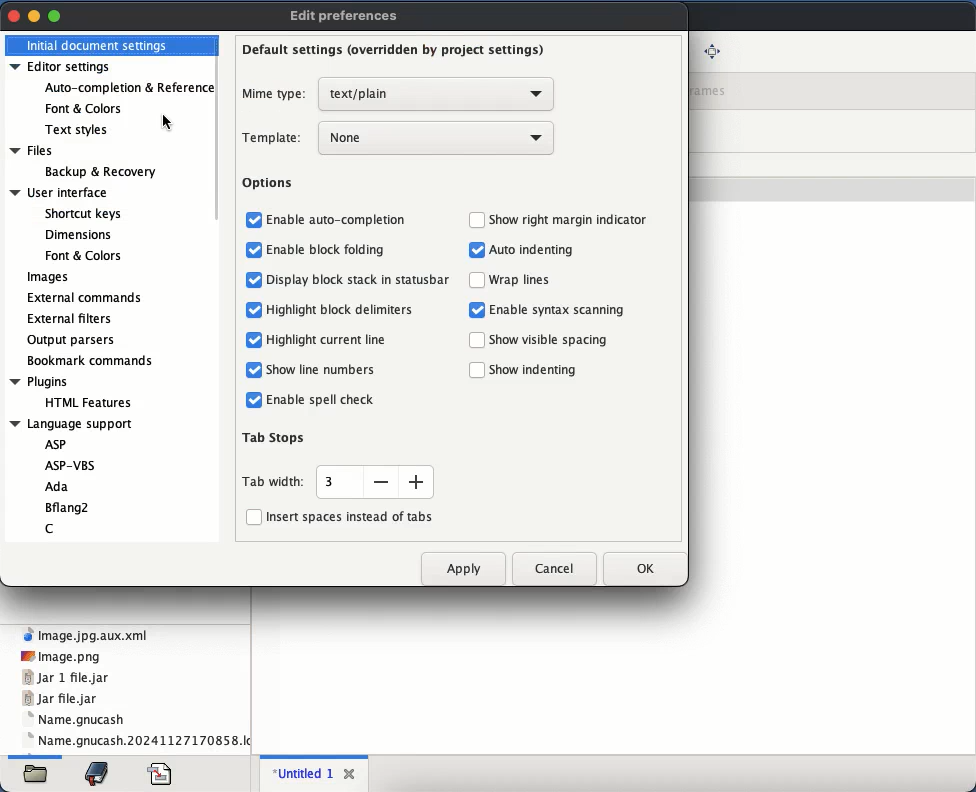 This screenshot has width=976, height=792. What do you see at coordinates (57, 487) in the screenshot?
I see `Ada` at bounding box center [57, 487].